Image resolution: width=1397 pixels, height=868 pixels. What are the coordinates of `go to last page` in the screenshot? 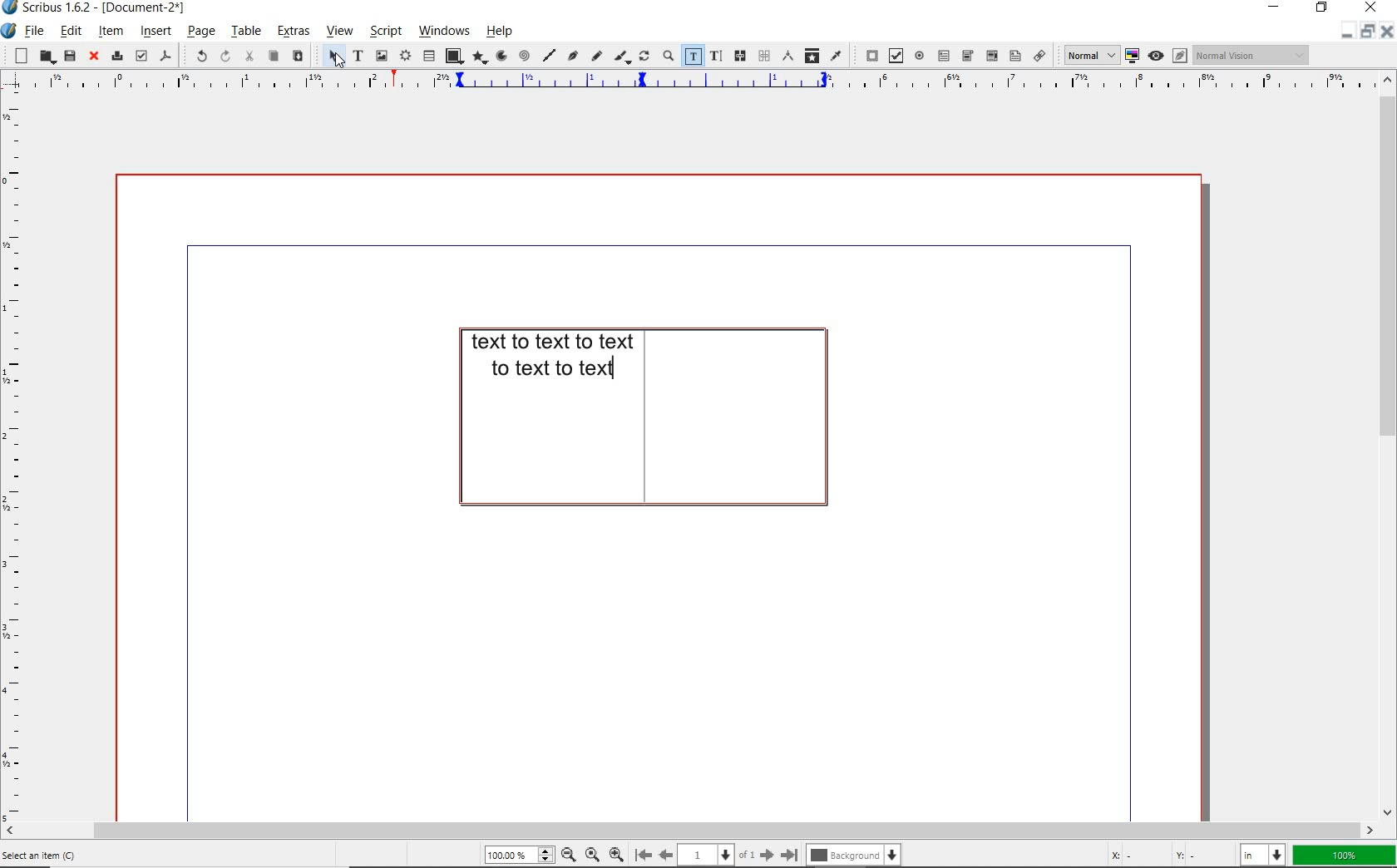 It's located at (790, 852).